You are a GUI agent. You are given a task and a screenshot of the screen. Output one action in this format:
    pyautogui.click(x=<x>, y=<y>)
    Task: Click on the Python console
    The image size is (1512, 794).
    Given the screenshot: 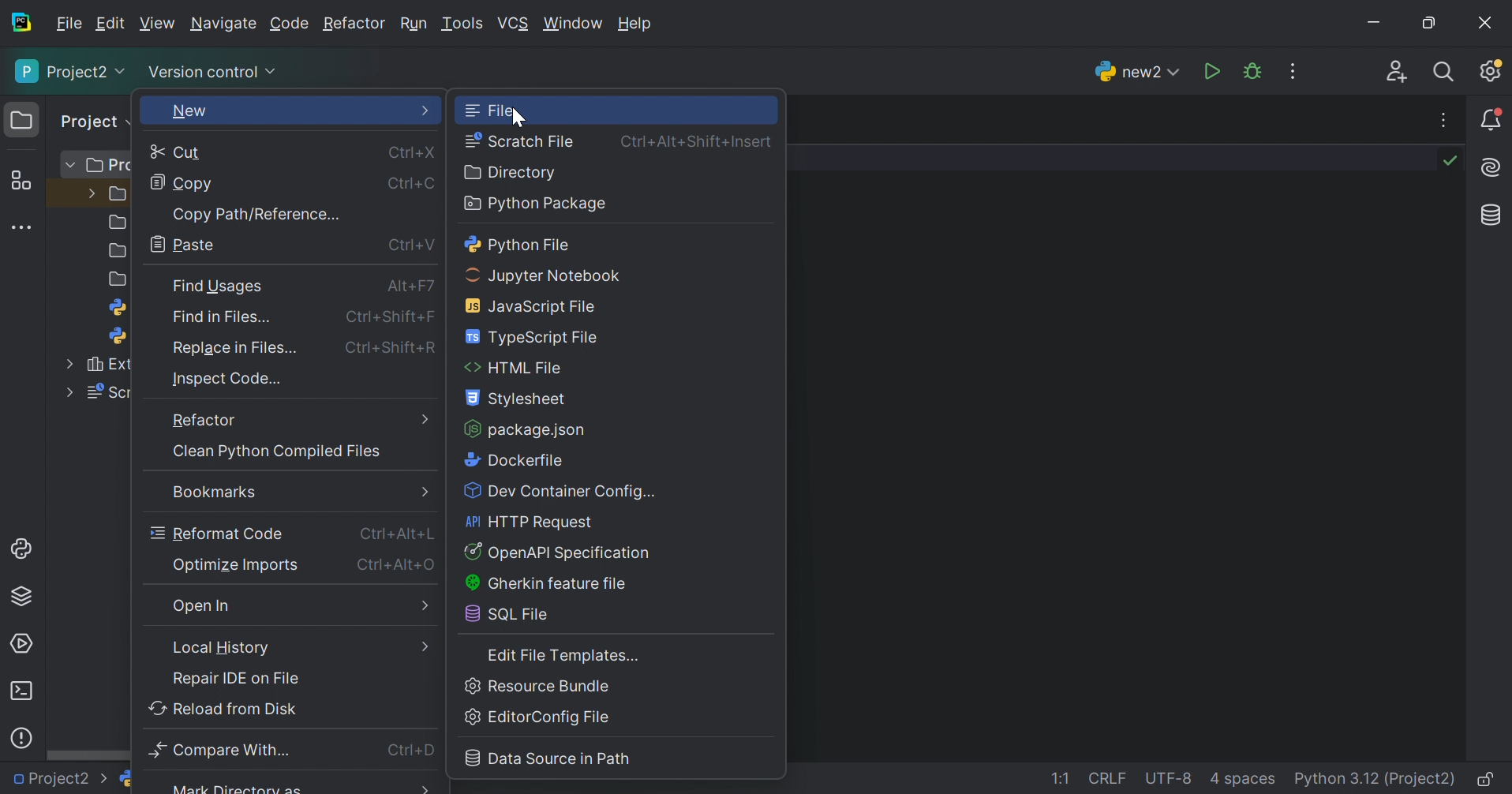 What is the action you would take?
    pyautogui.click(x=23, y=549)
    